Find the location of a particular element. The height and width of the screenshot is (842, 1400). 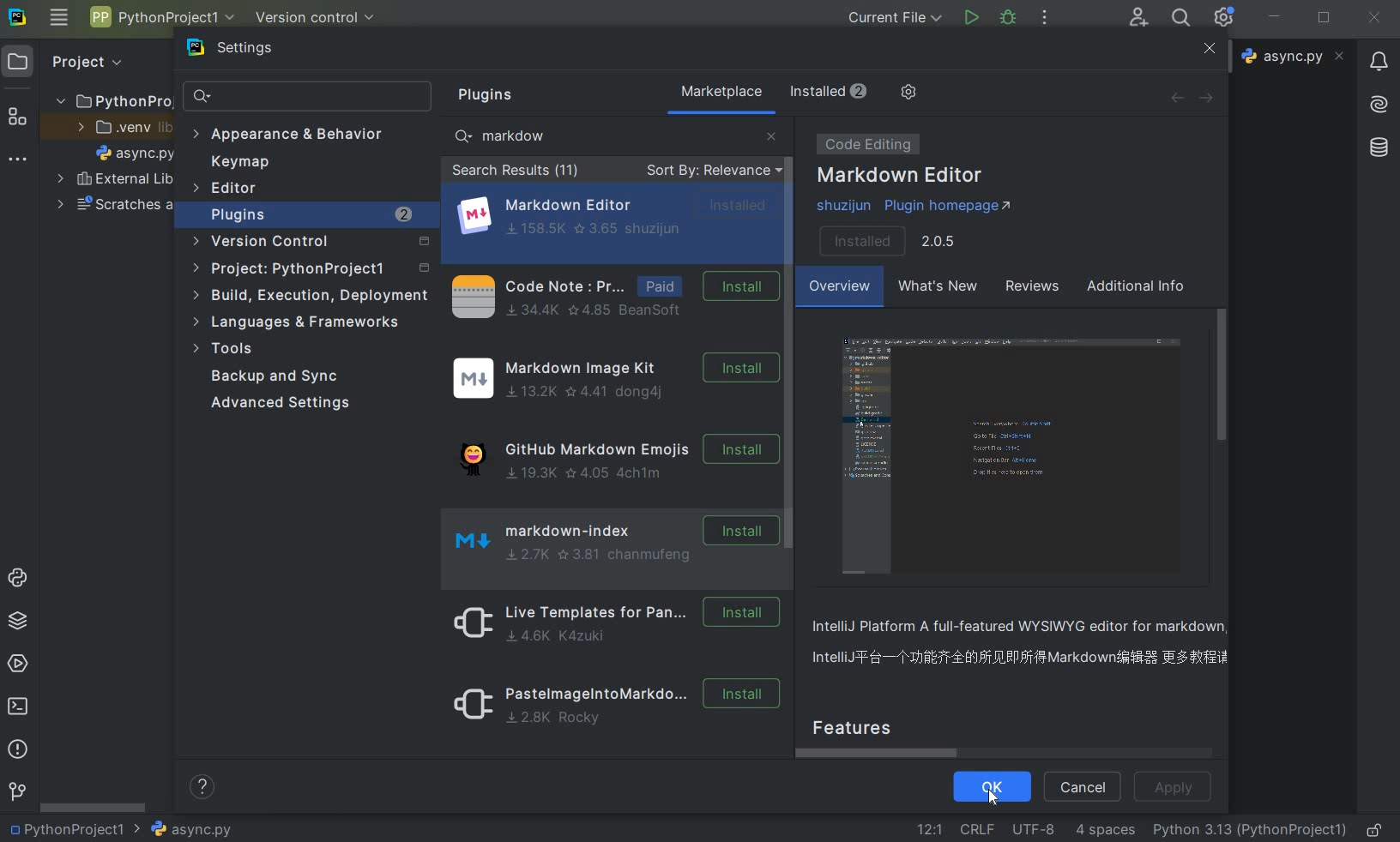

current interpreter is located at coordinates (1250, 831).